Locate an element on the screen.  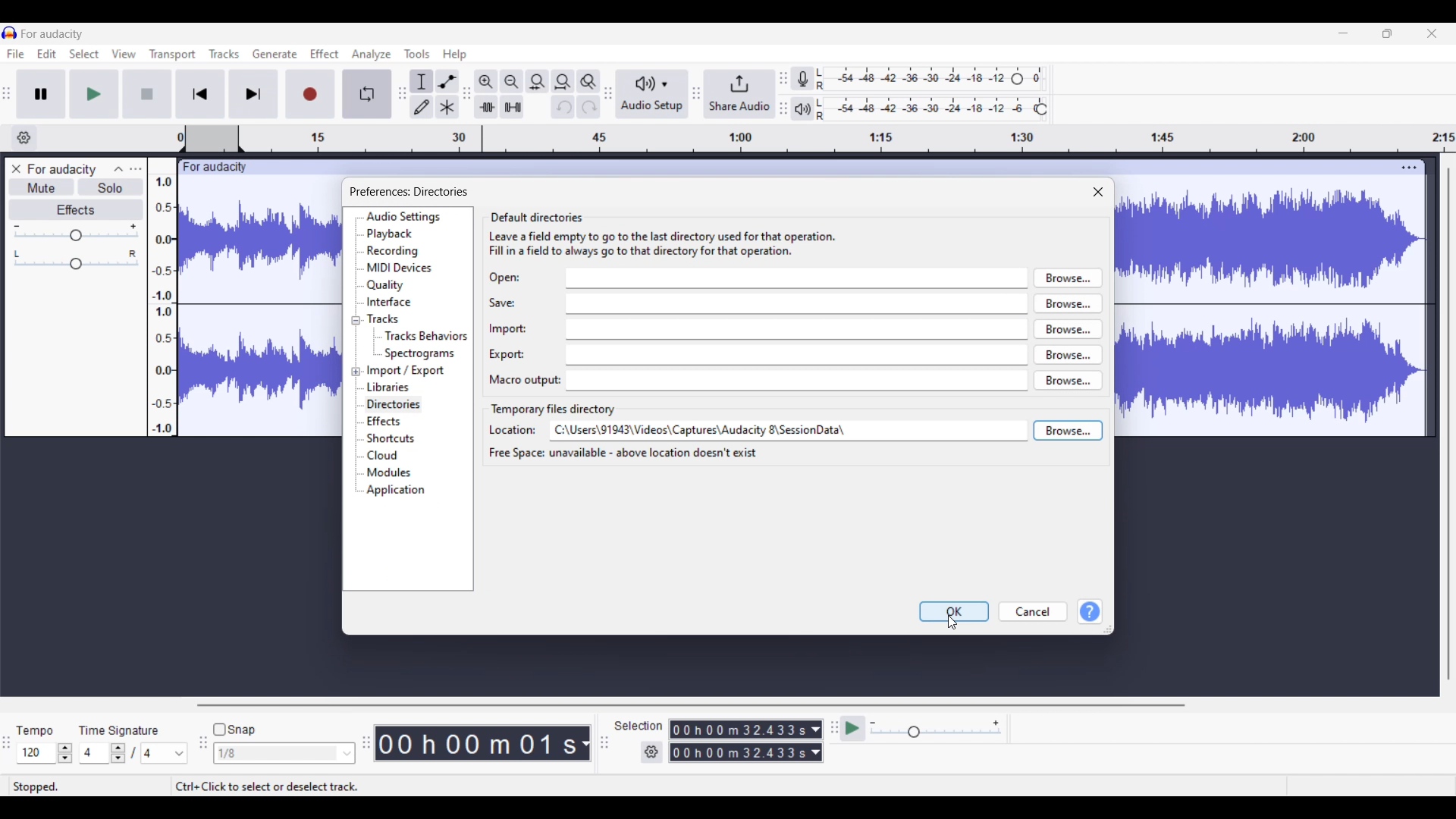
Playback is located at coordinates (391, 234).